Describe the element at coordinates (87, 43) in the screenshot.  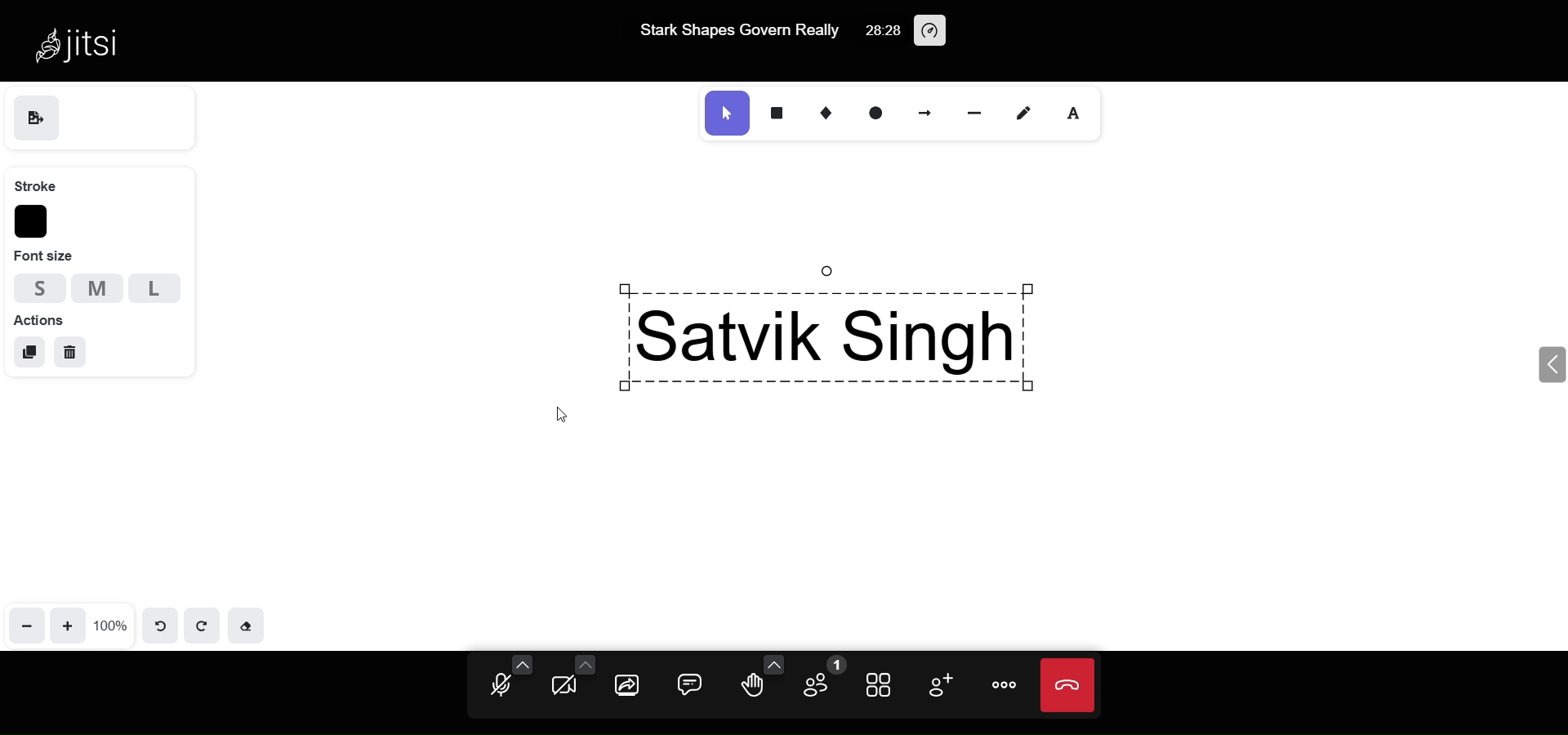
I see `Jitsi` at that location.